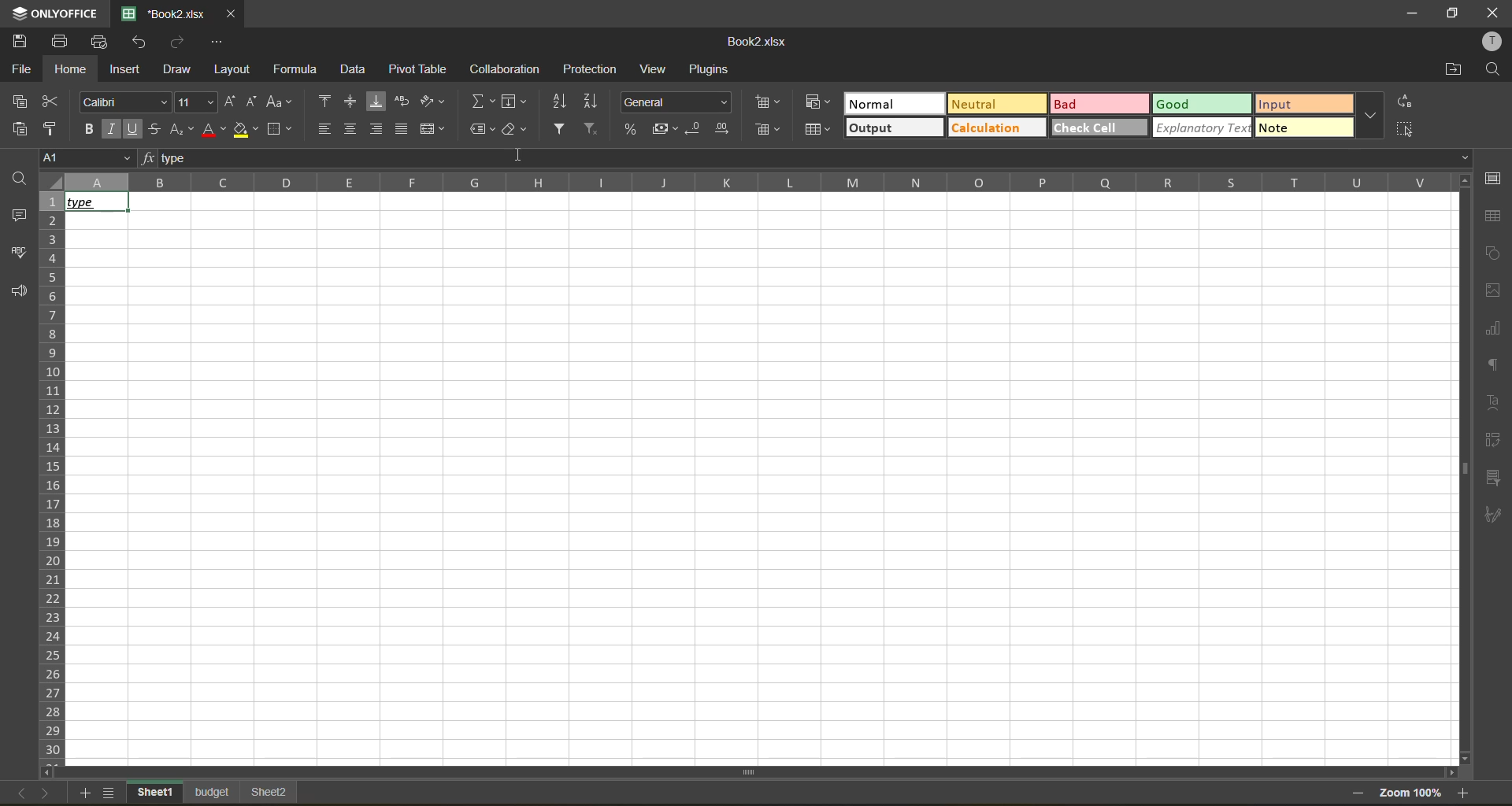 The image size is (1512, 806). Describe the element at coordinates (1451, 69) in the screenshot. I see `open location` at that location.